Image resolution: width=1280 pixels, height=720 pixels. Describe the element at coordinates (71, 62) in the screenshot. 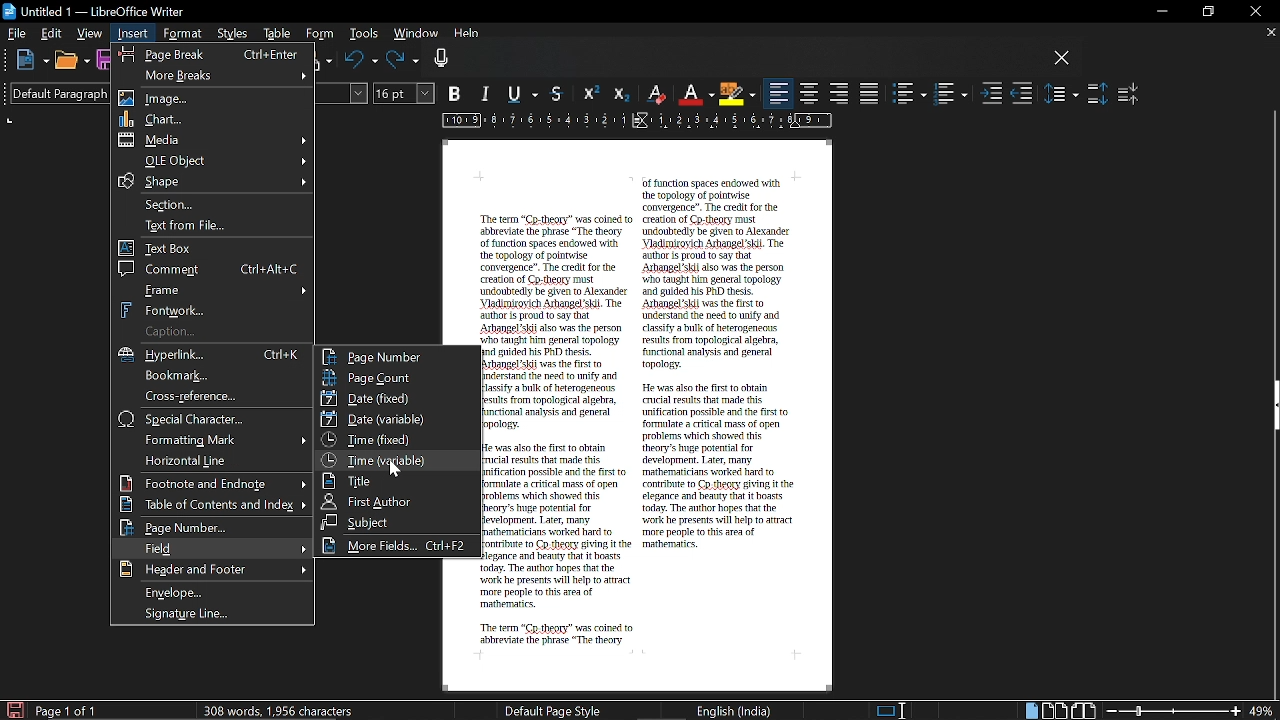

I see `Open` at that location.